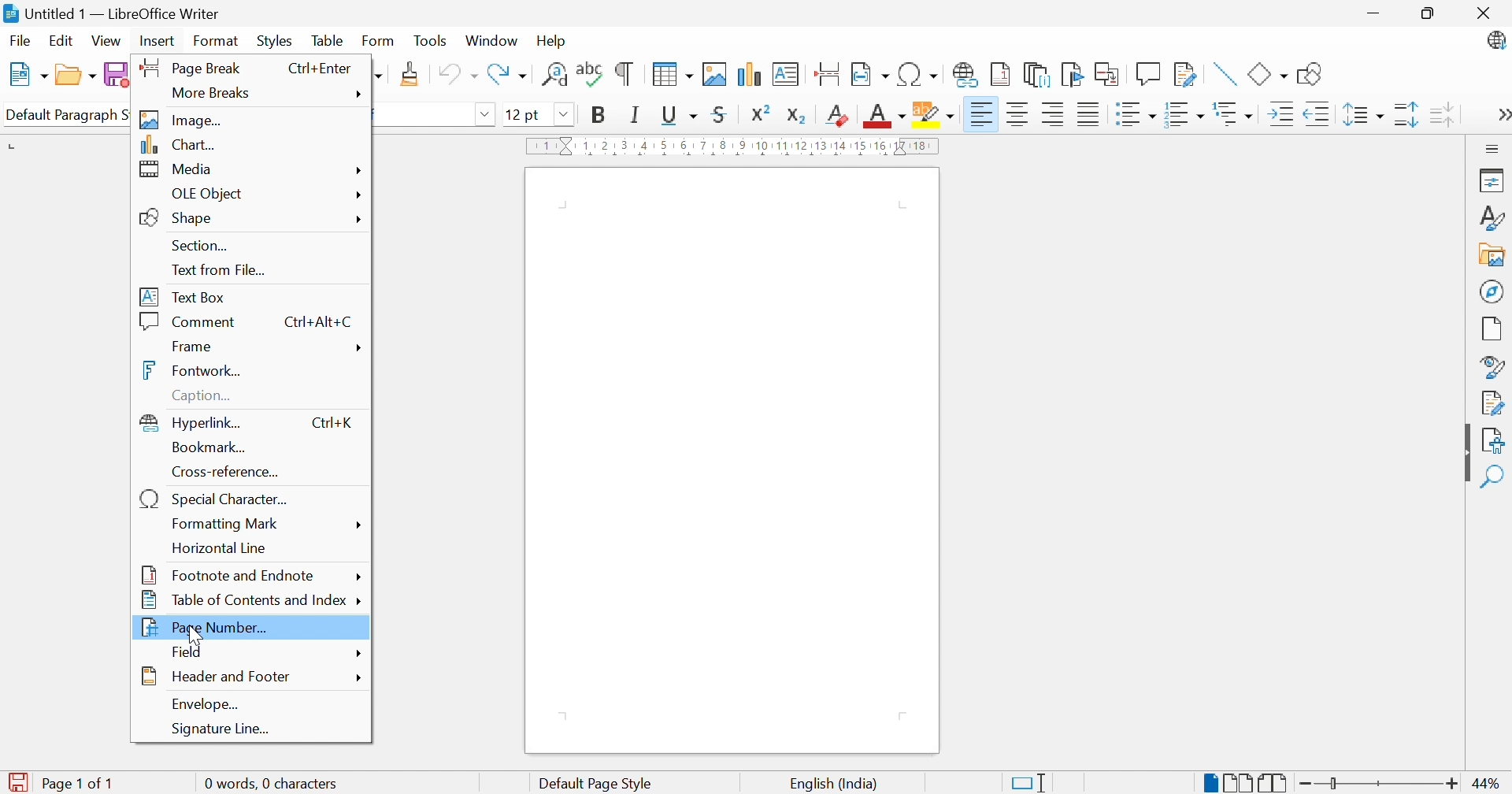  Describe the element at coordinates (750, 74) in the screenshot. I see `Insert chart` at that location.